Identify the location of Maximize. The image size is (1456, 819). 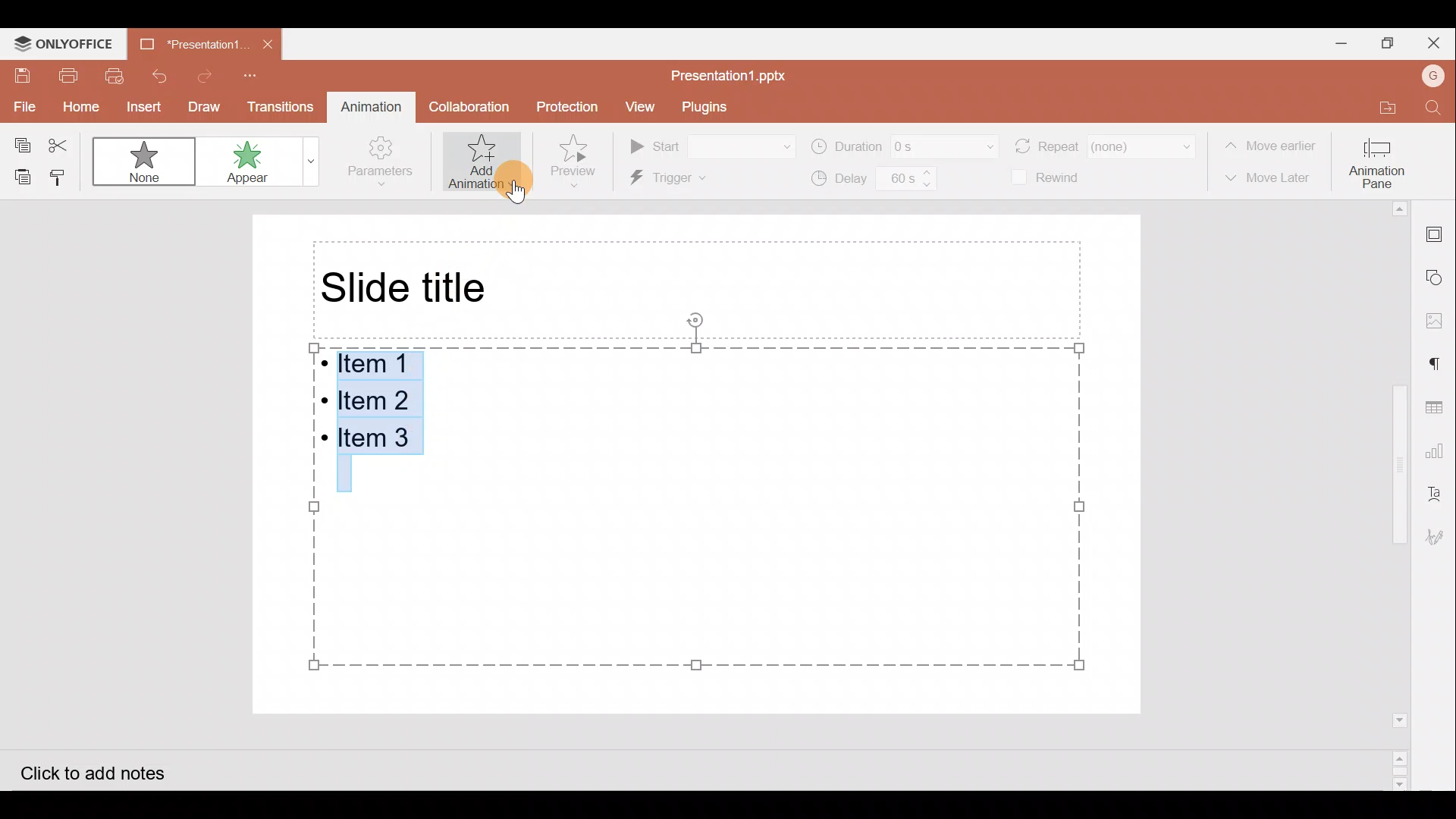
(1389, 45).